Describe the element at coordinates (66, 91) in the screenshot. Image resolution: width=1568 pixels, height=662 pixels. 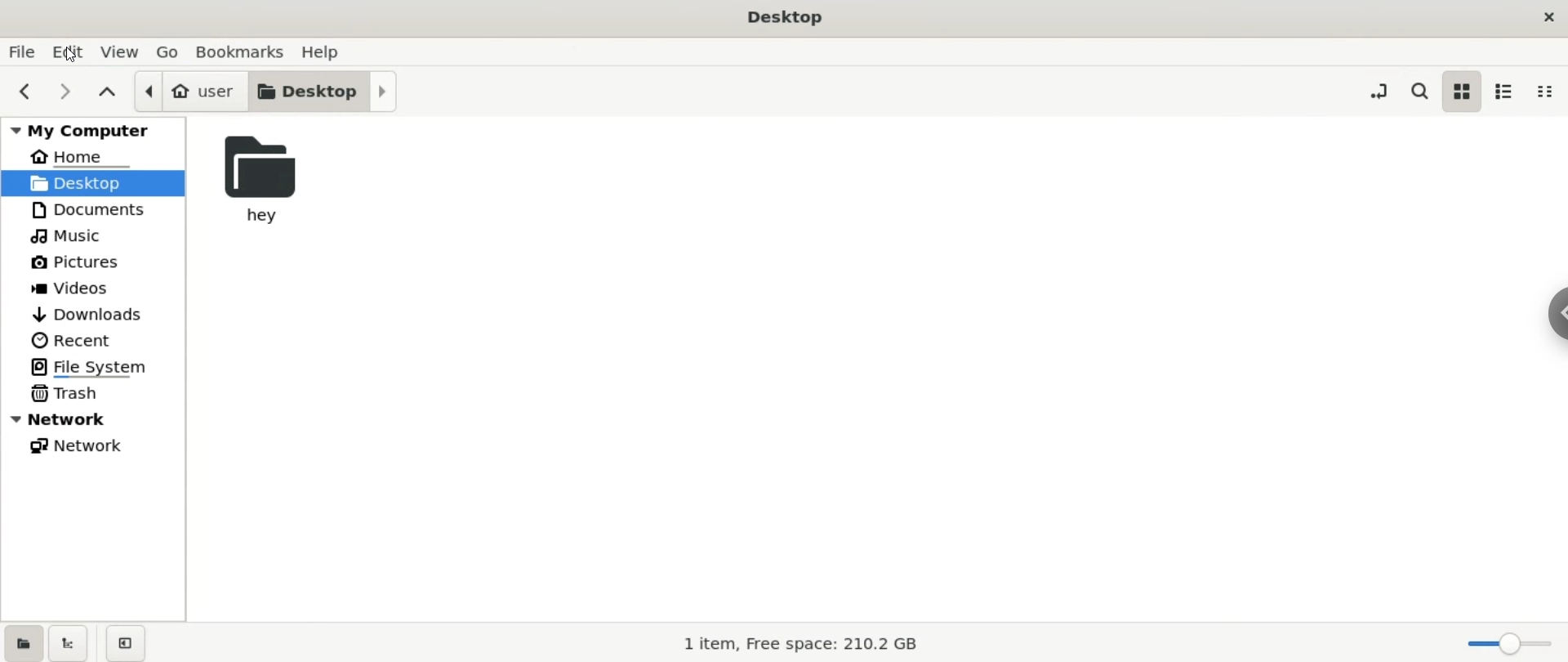
I see `next` at that location.